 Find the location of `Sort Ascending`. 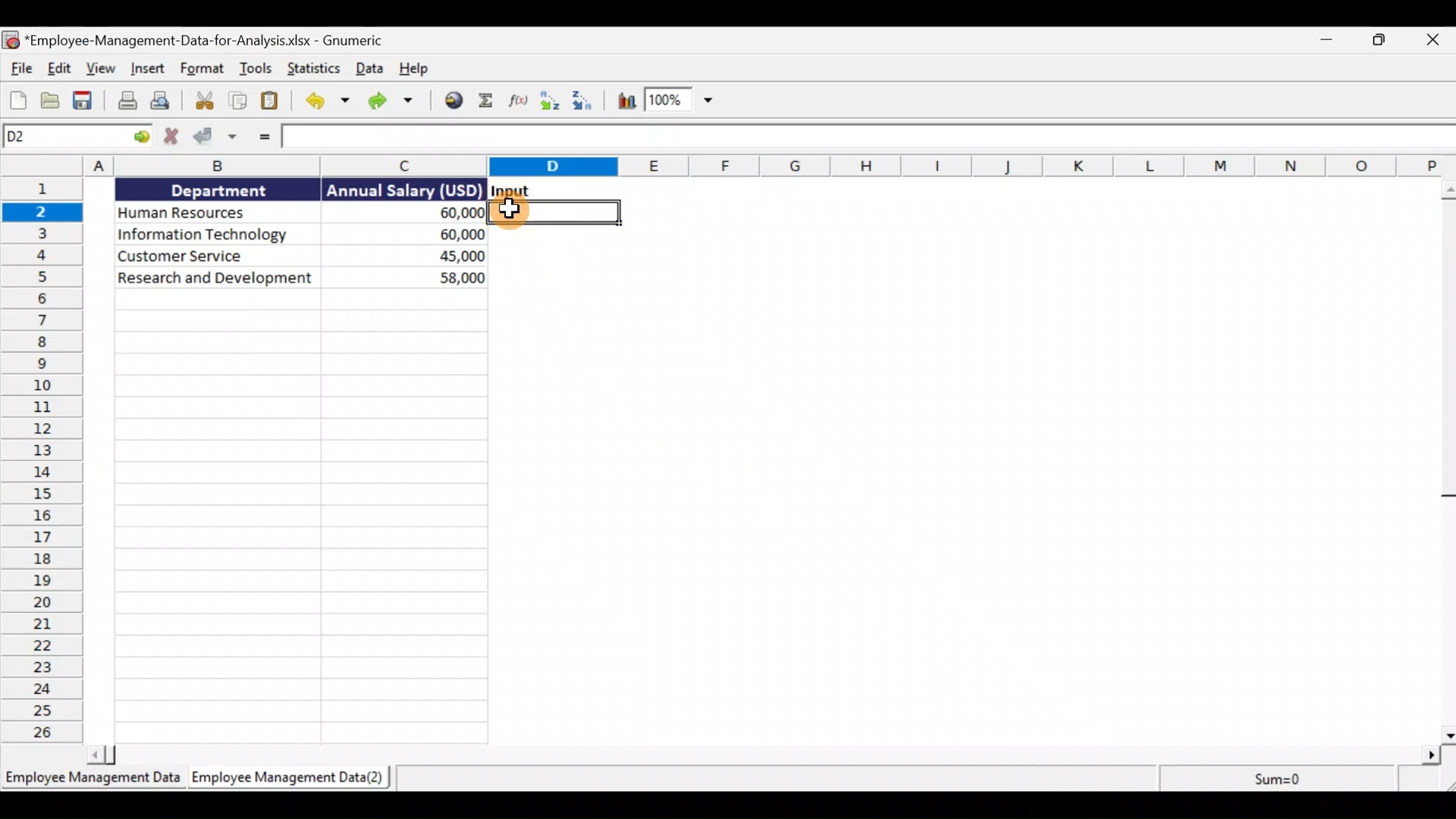

Sort Ascending is located at coordinates (550, 99).